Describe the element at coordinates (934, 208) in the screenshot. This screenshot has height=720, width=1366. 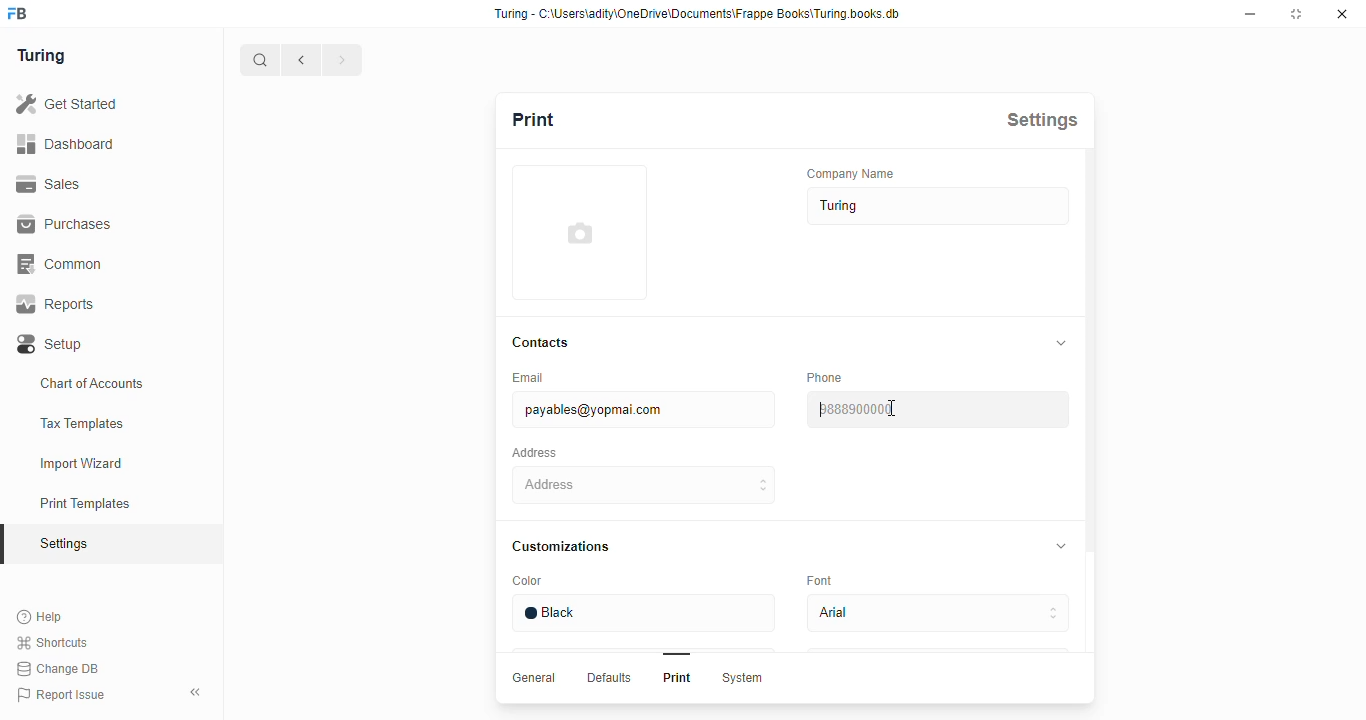
I see `Turing` at that location.